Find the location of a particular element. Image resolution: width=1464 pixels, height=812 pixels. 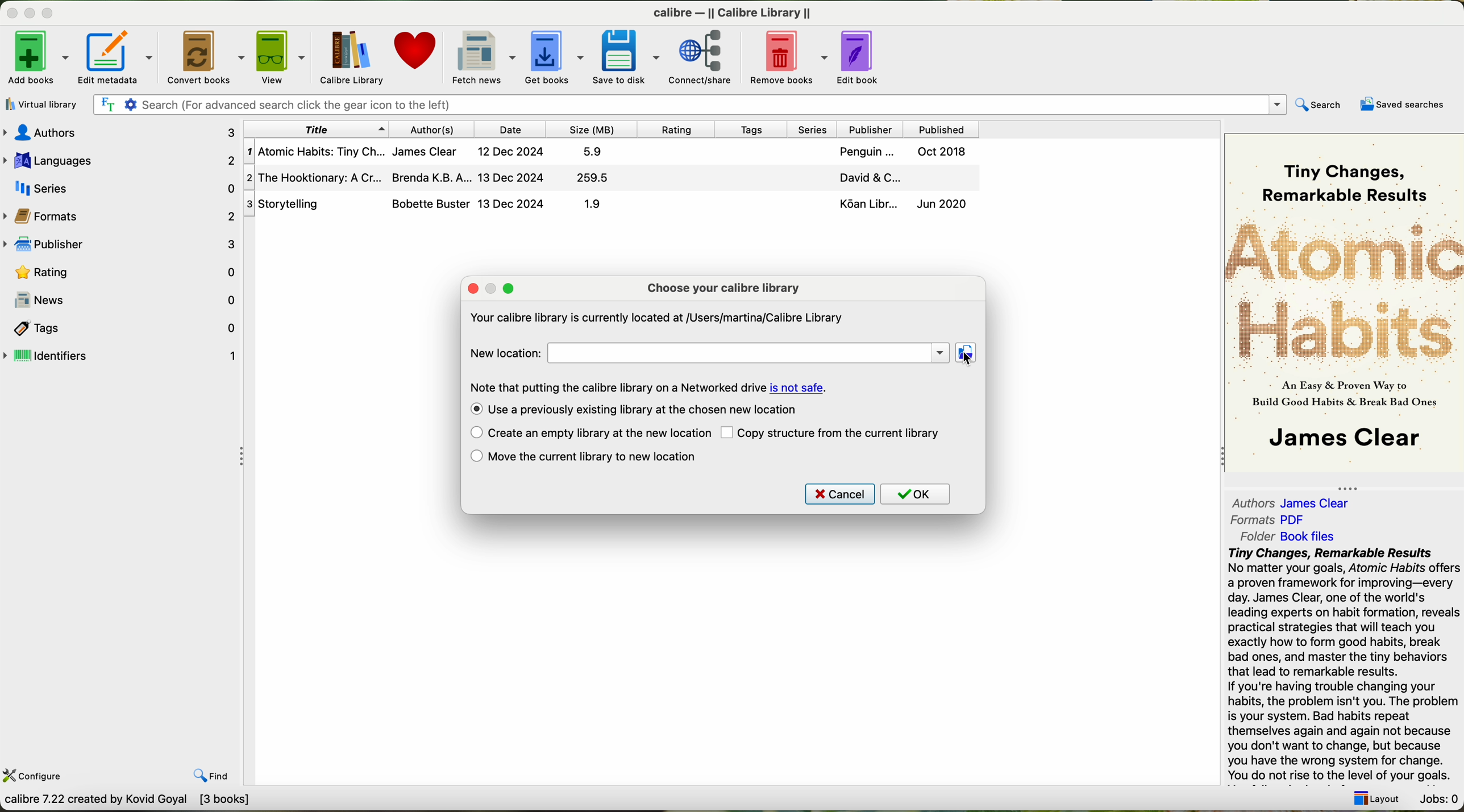

Minimize is located at coordinates (31, 14).